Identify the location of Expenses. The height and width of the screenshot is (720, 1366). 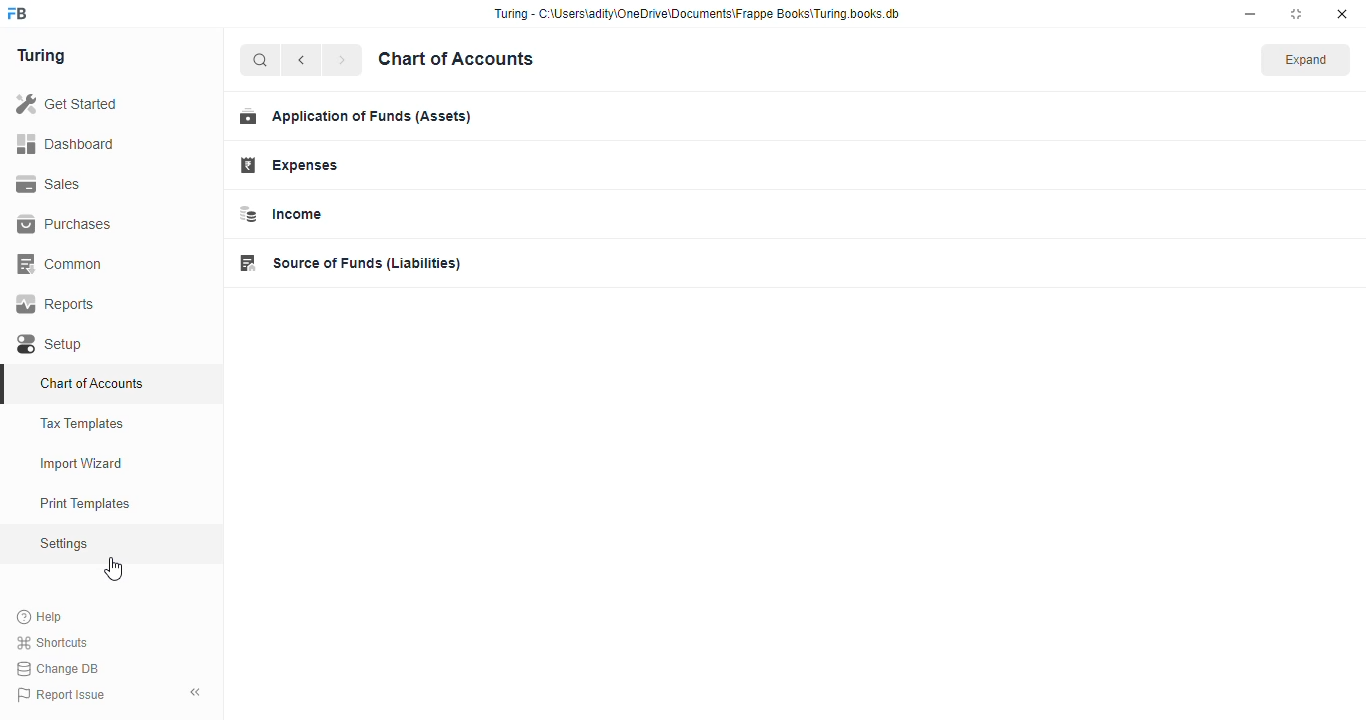
(565, 167).